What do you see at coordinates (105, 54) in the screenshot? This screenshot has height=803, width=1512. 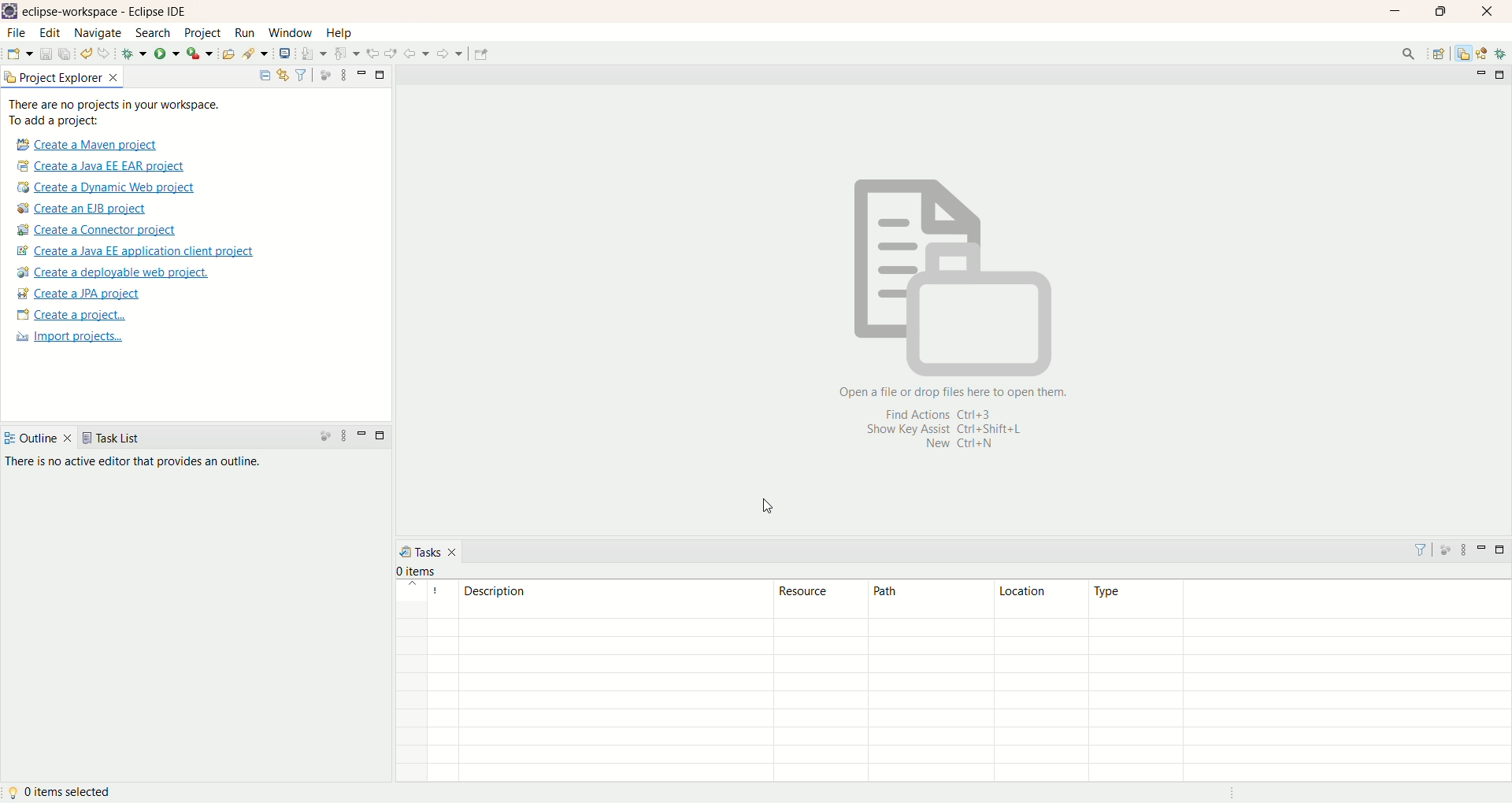 I see `redo` at bounding box center [105, 54].